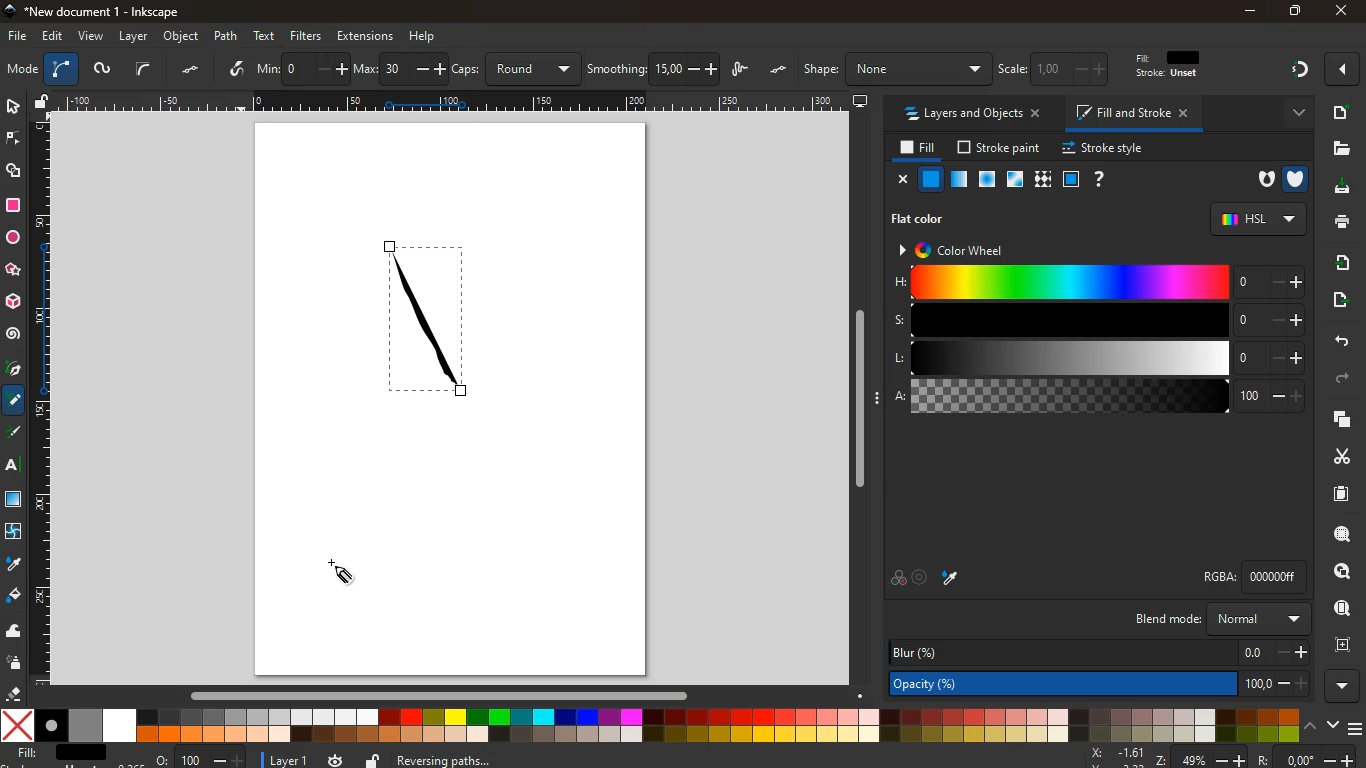 Image resolution: width=1366 pixels, height=768 pixels. What do you see at coordinates (365, 36) in the screenshot?
I see `extensions` at bounding box center [365, 36].